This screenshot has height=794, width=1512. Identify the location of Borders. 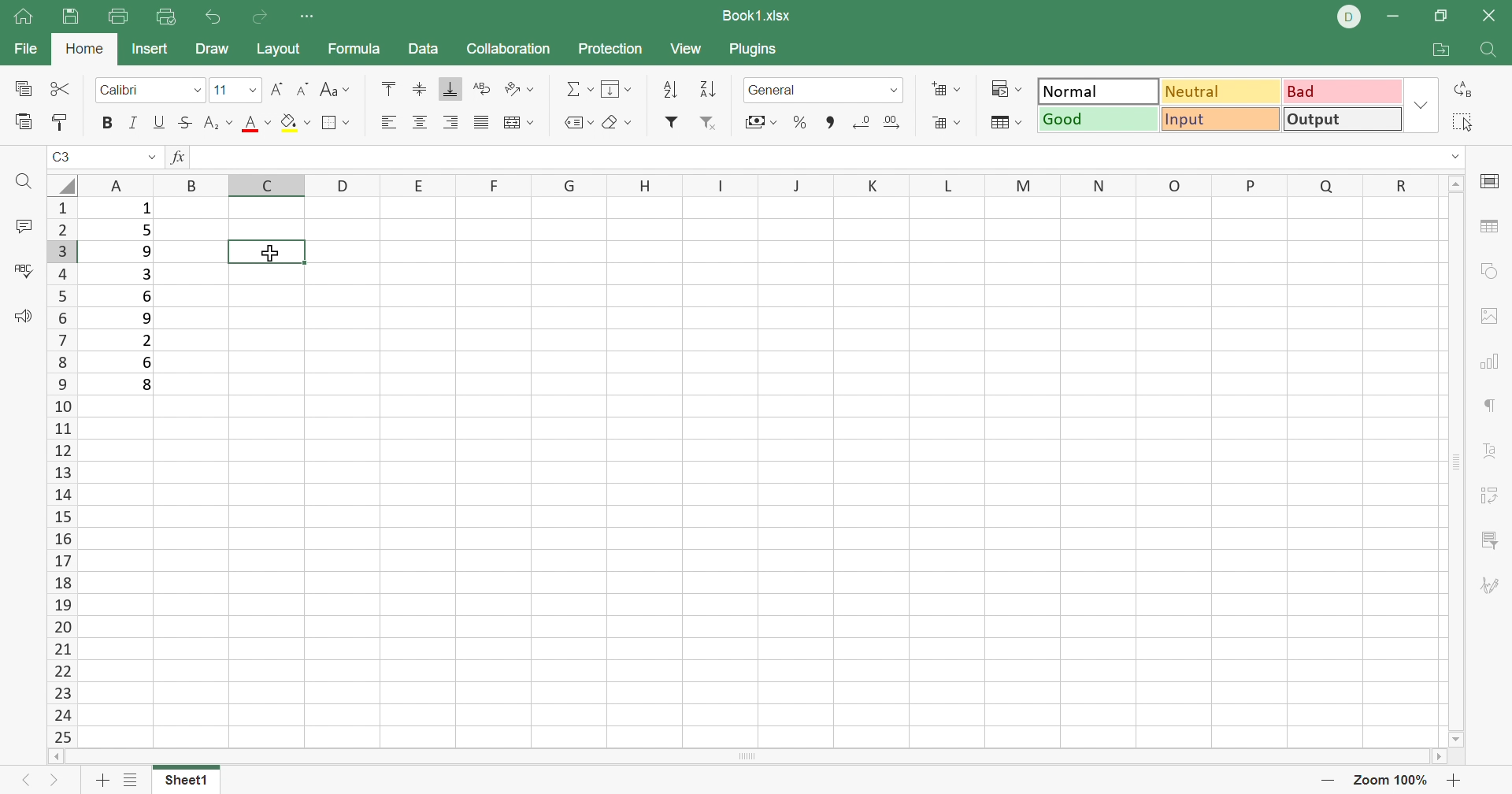
(335, 121).